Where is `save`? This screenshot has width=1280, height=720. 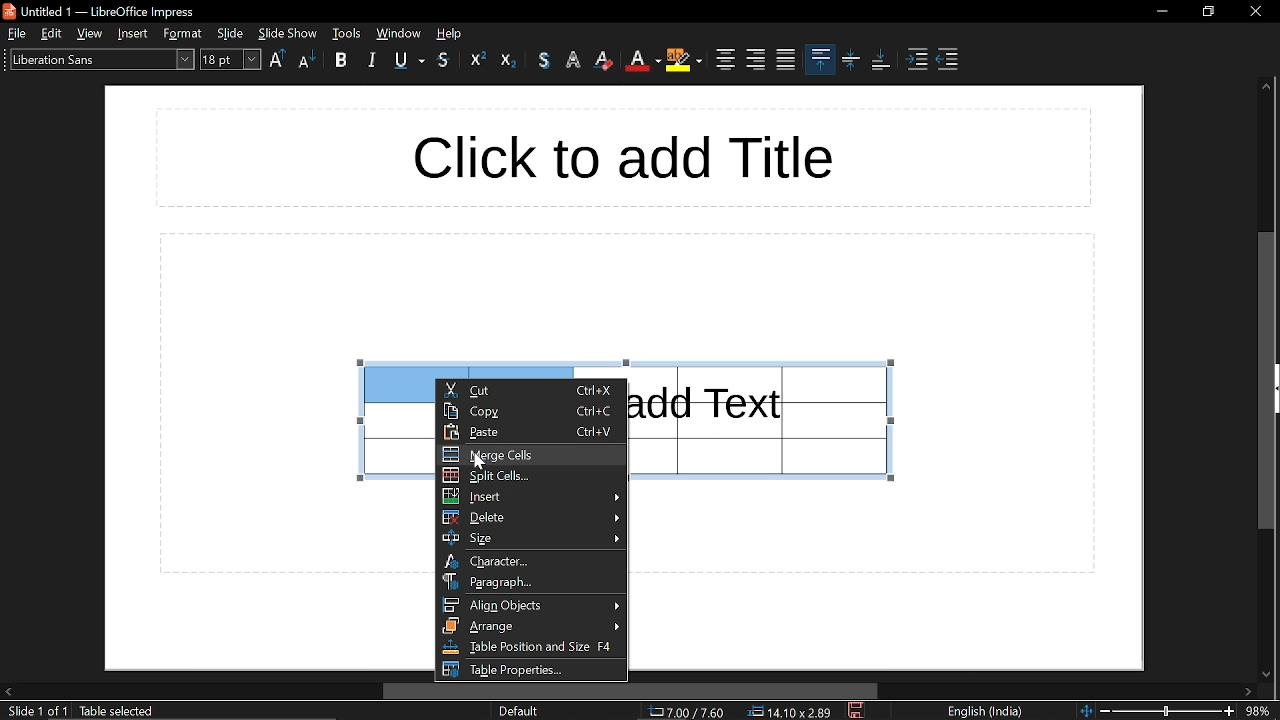 save is located at coordinates (858, 711).